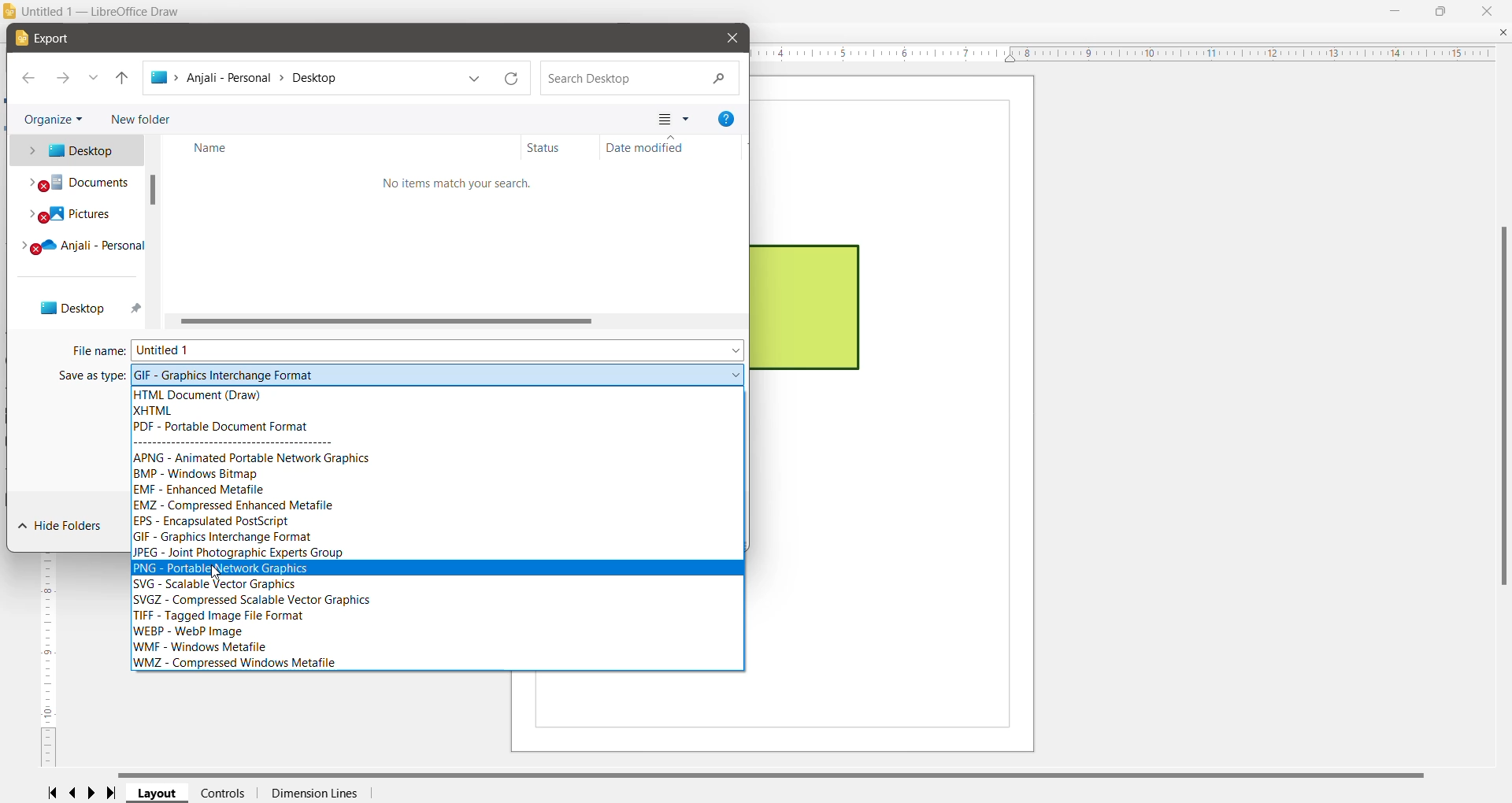 This screenshot has width=1512, height=803. Describe the element at coordinates (1129, 54) in the screenshot. I see `horizontal ruler` at that location.